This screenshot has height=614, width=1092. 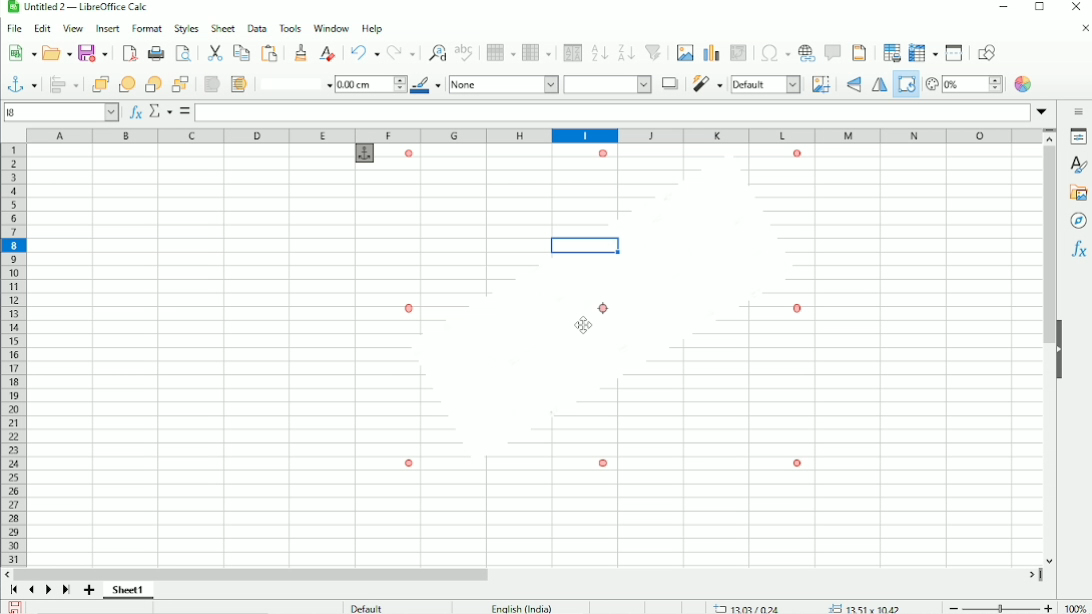 I want to click on None, so click(x=503, y=84).